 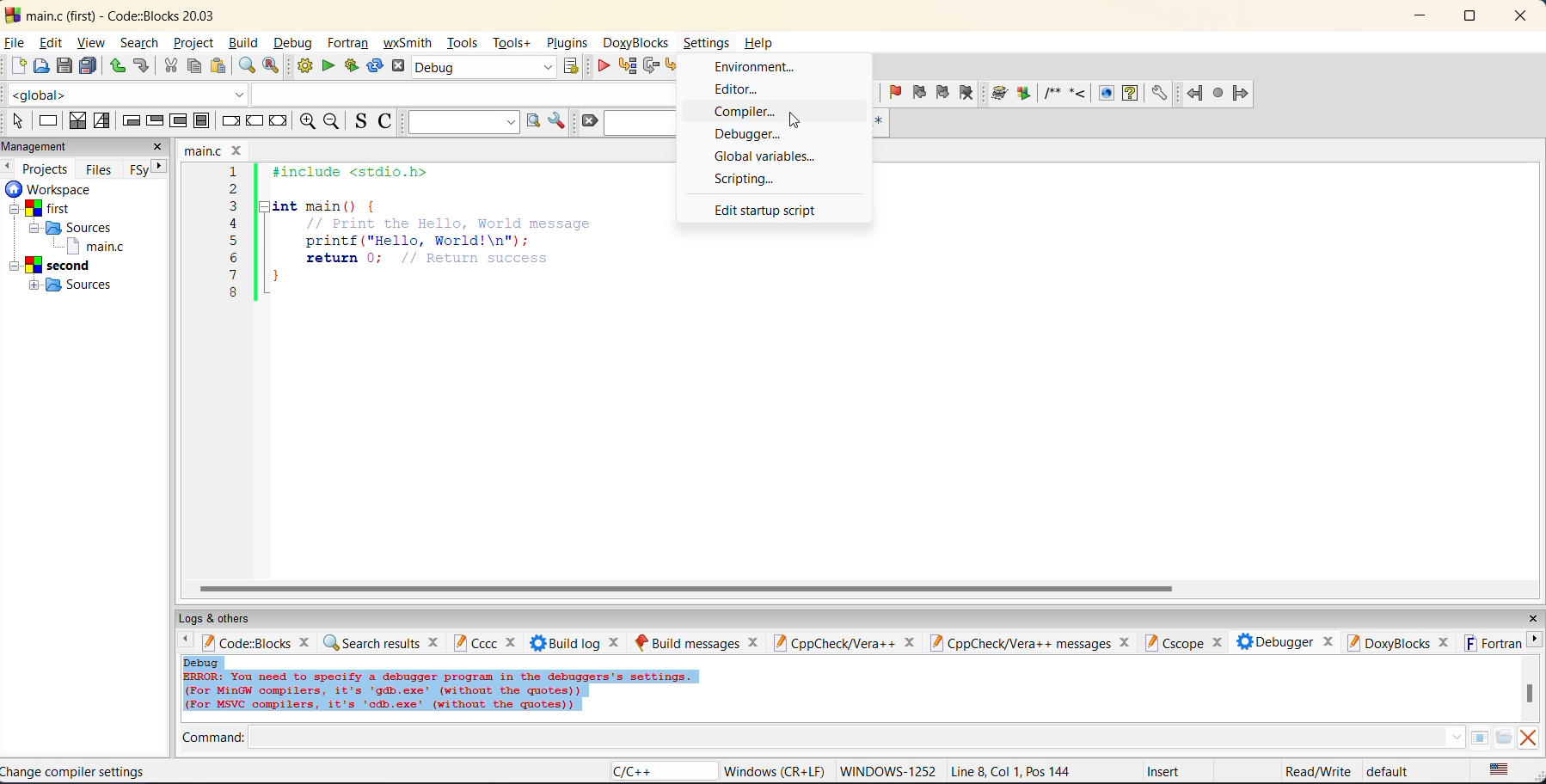 What do you see at coordinates (106, 122) in the screenshot?
I see `selection` at bounding box center [106, 122].